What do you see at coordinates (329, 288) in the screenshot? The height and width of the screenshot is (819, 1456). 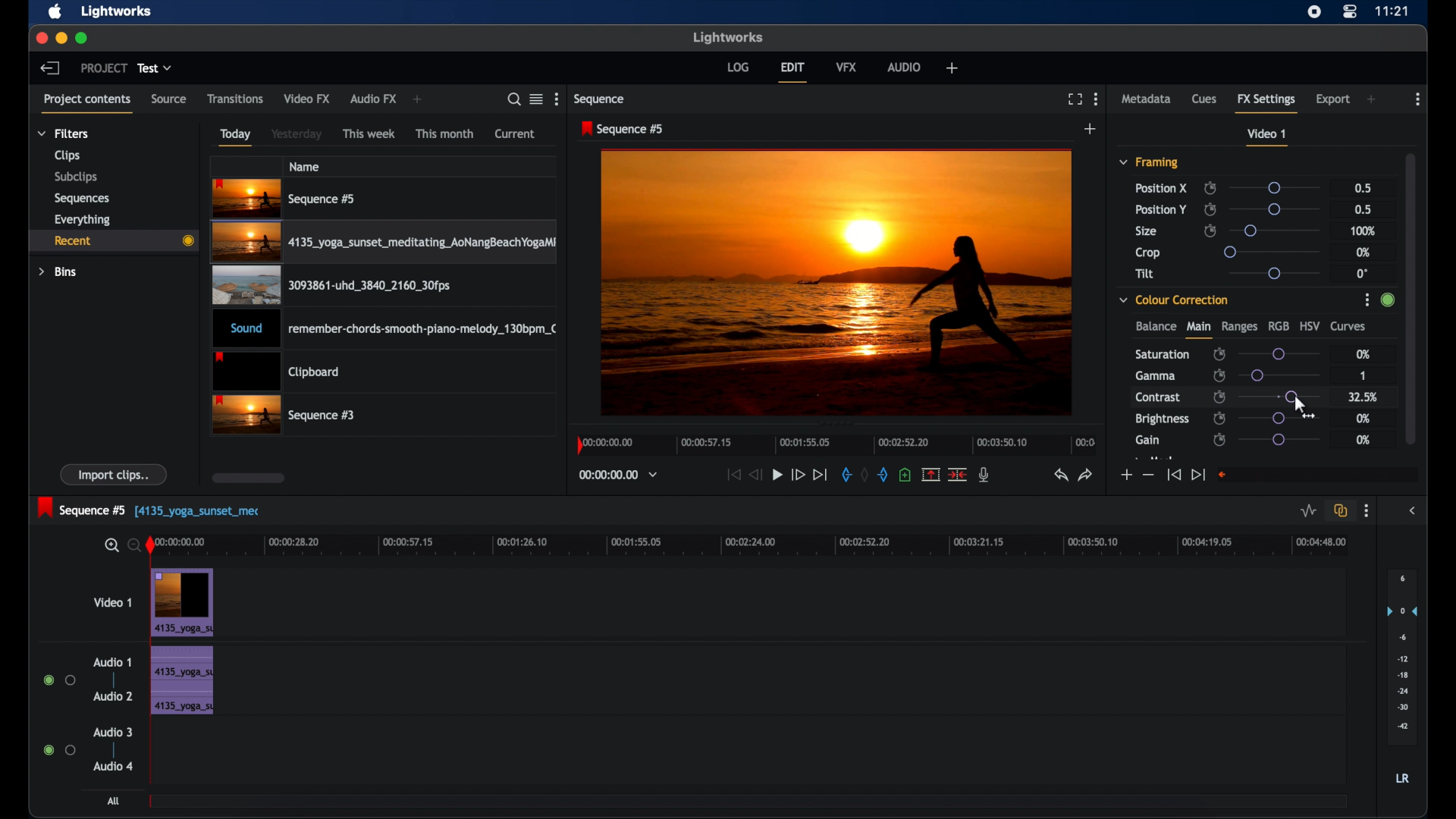 I see `video clip` at bounding box center [329, 288].